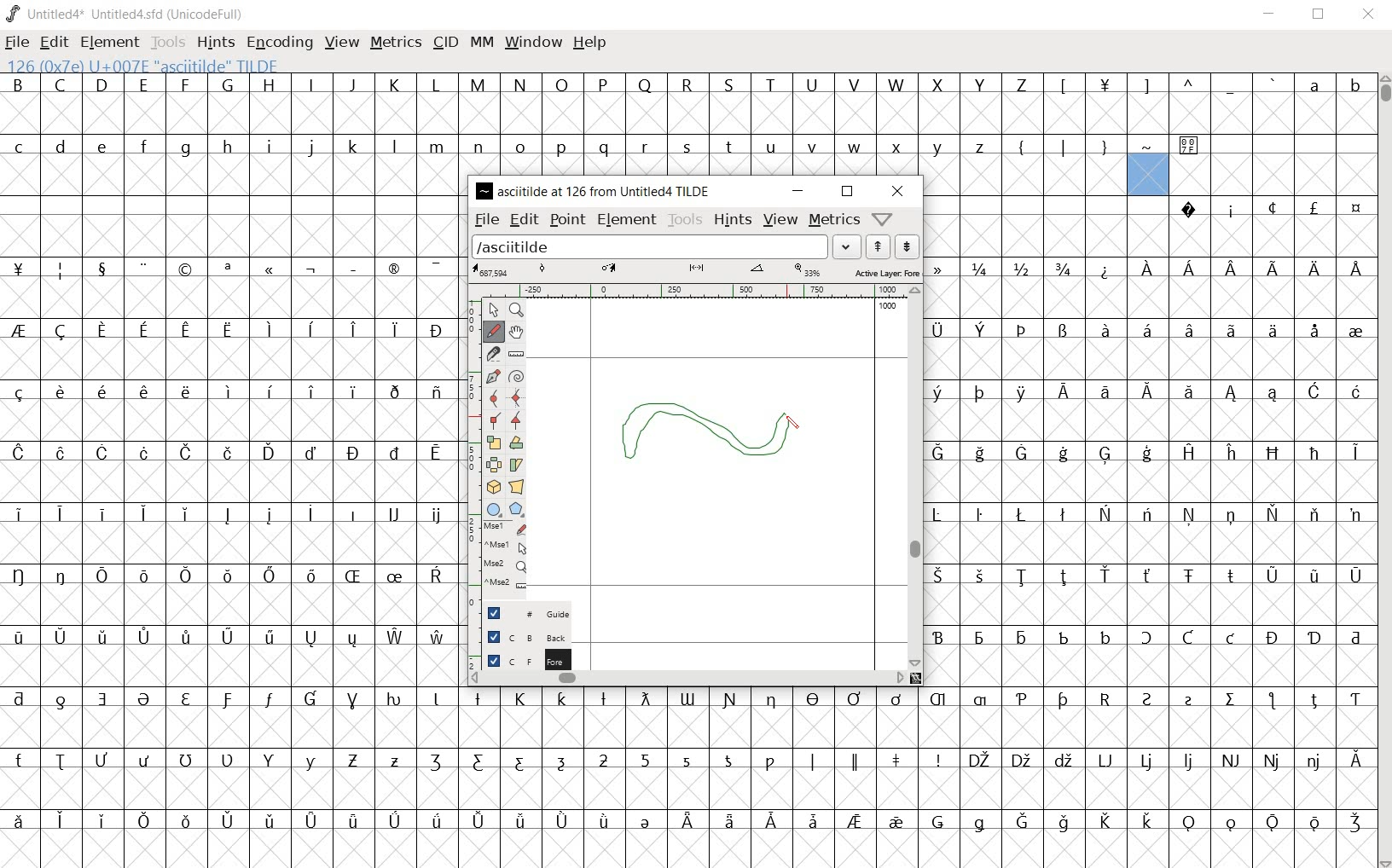  What do you see at coordinates (519, 635) in the screenshot?
I see `background` at bounding box center [519, 635].